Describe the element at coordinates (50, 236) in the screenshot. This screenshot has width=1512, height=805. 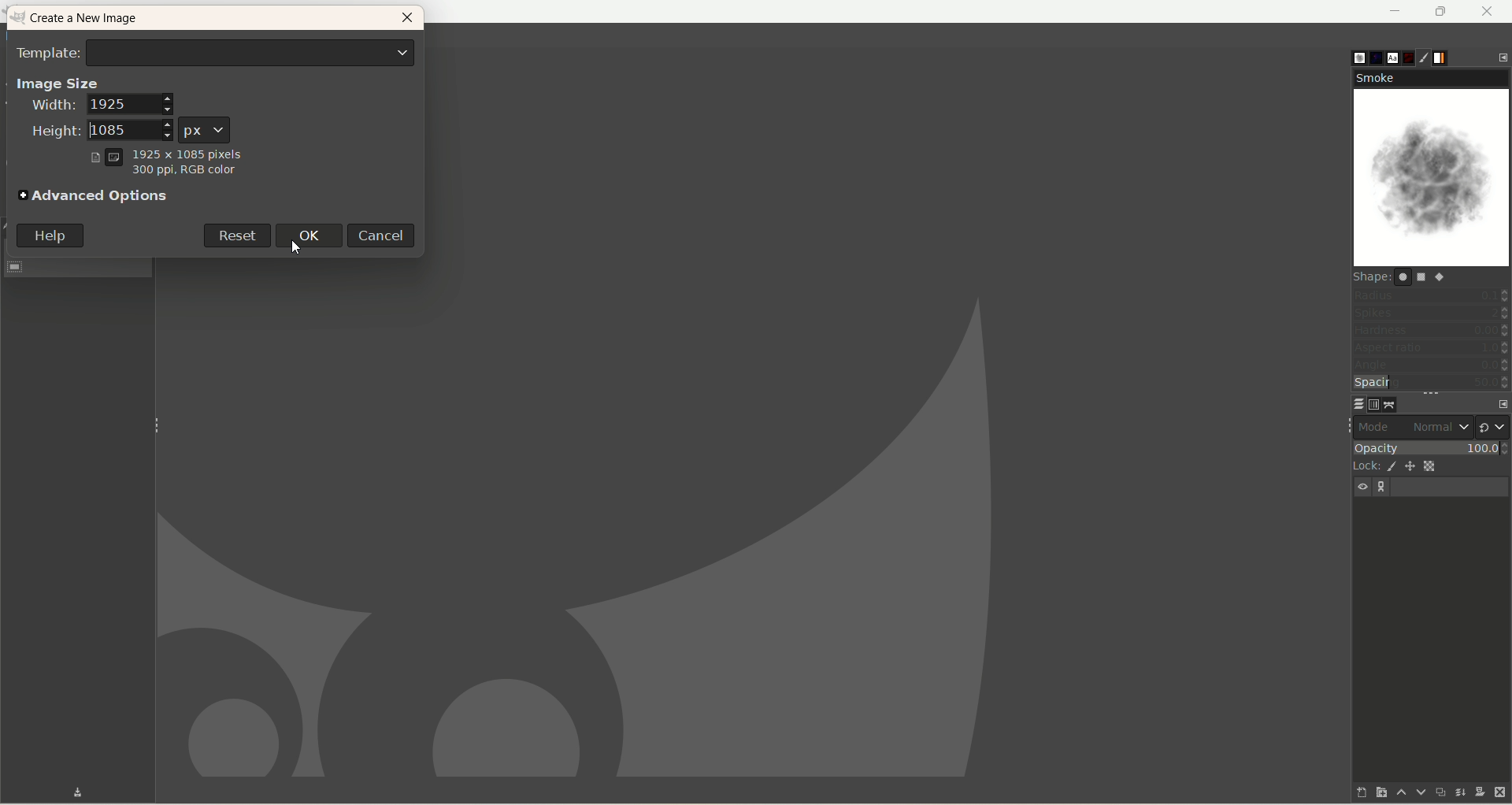
I see `help` at that location.